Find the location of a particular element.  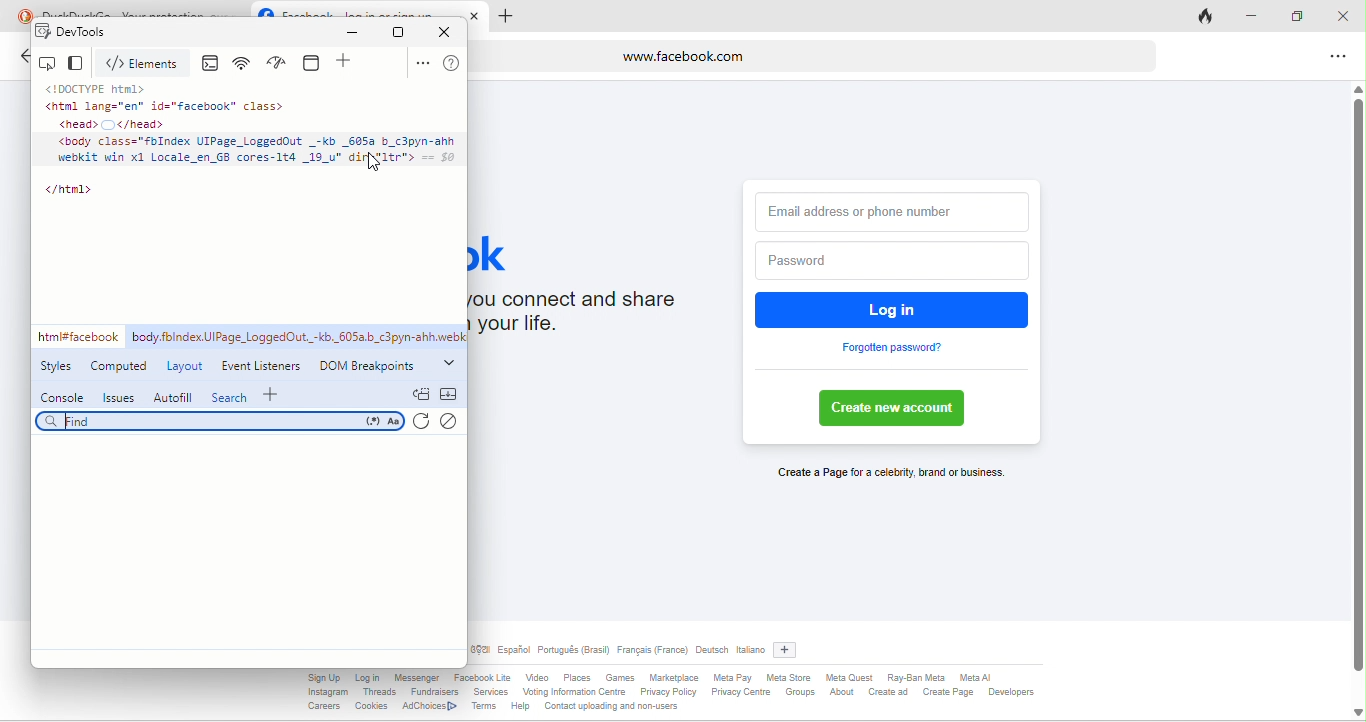

close is located at coordinates (1348, 16).